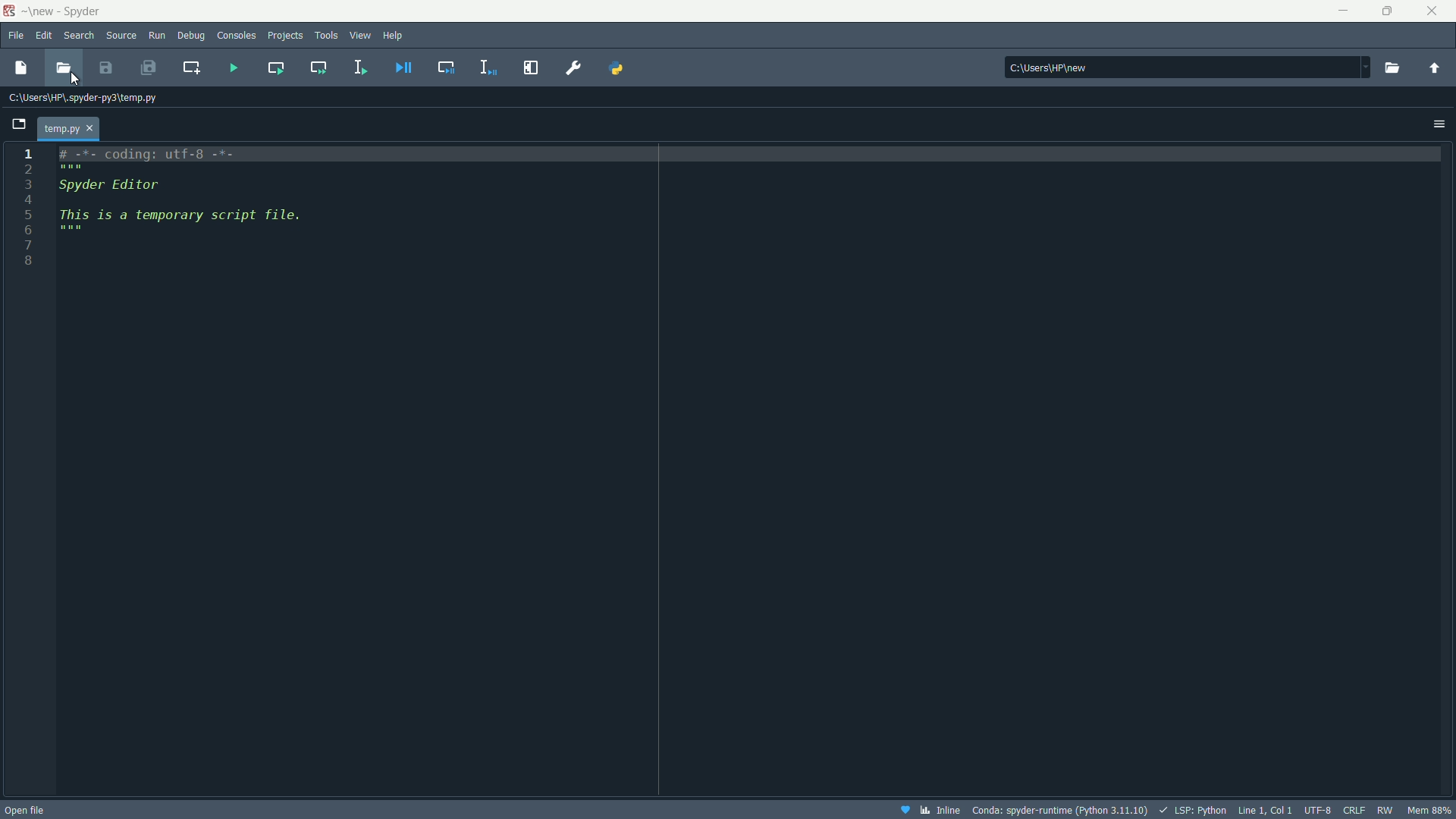 This screenshot has height=819, width=1456. Describe the element at coordinates (71, 127) in the screenshot. I see `File name` at that location.